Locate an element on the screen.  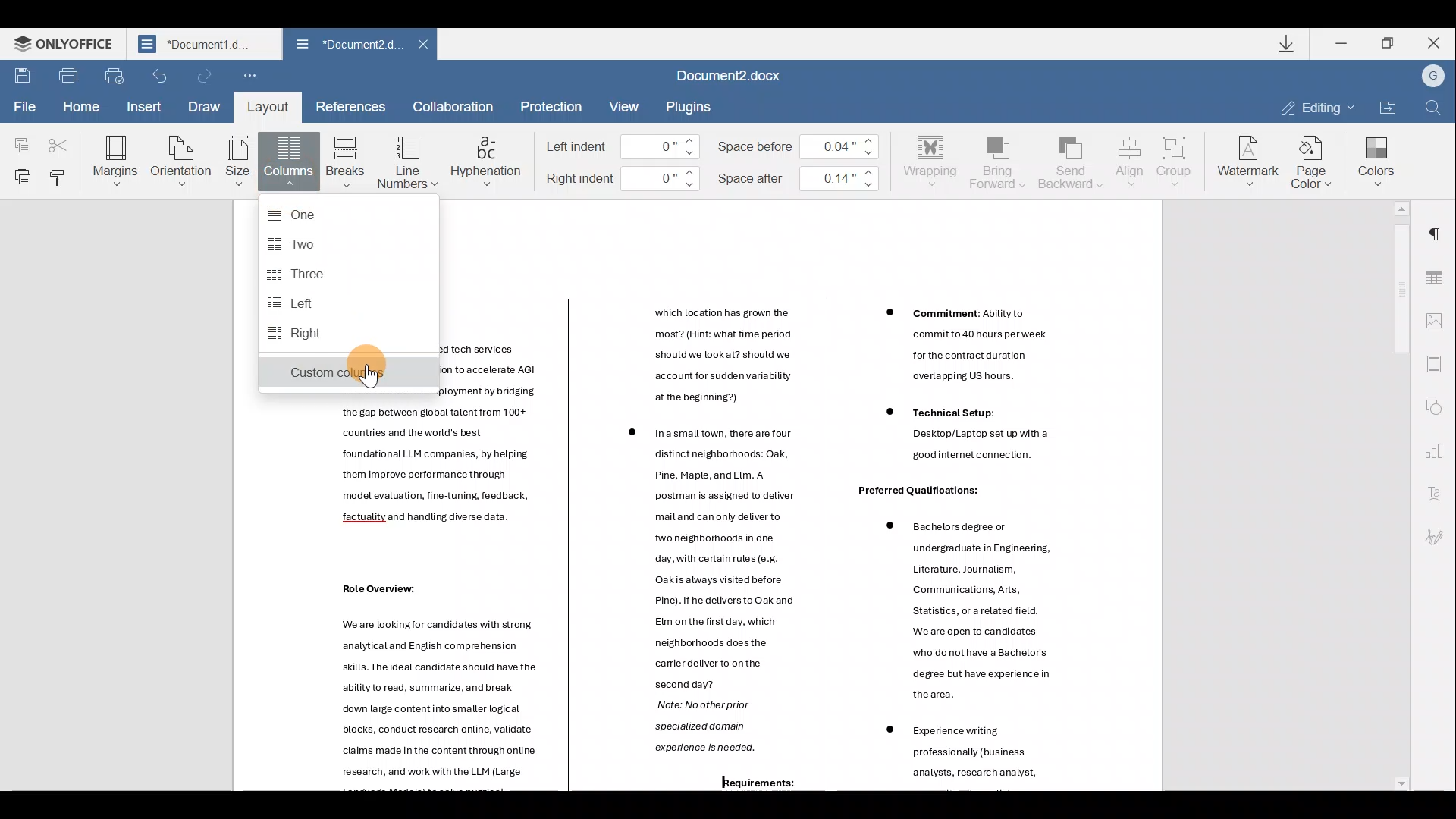
Close is located at coordinates (1434, 42).